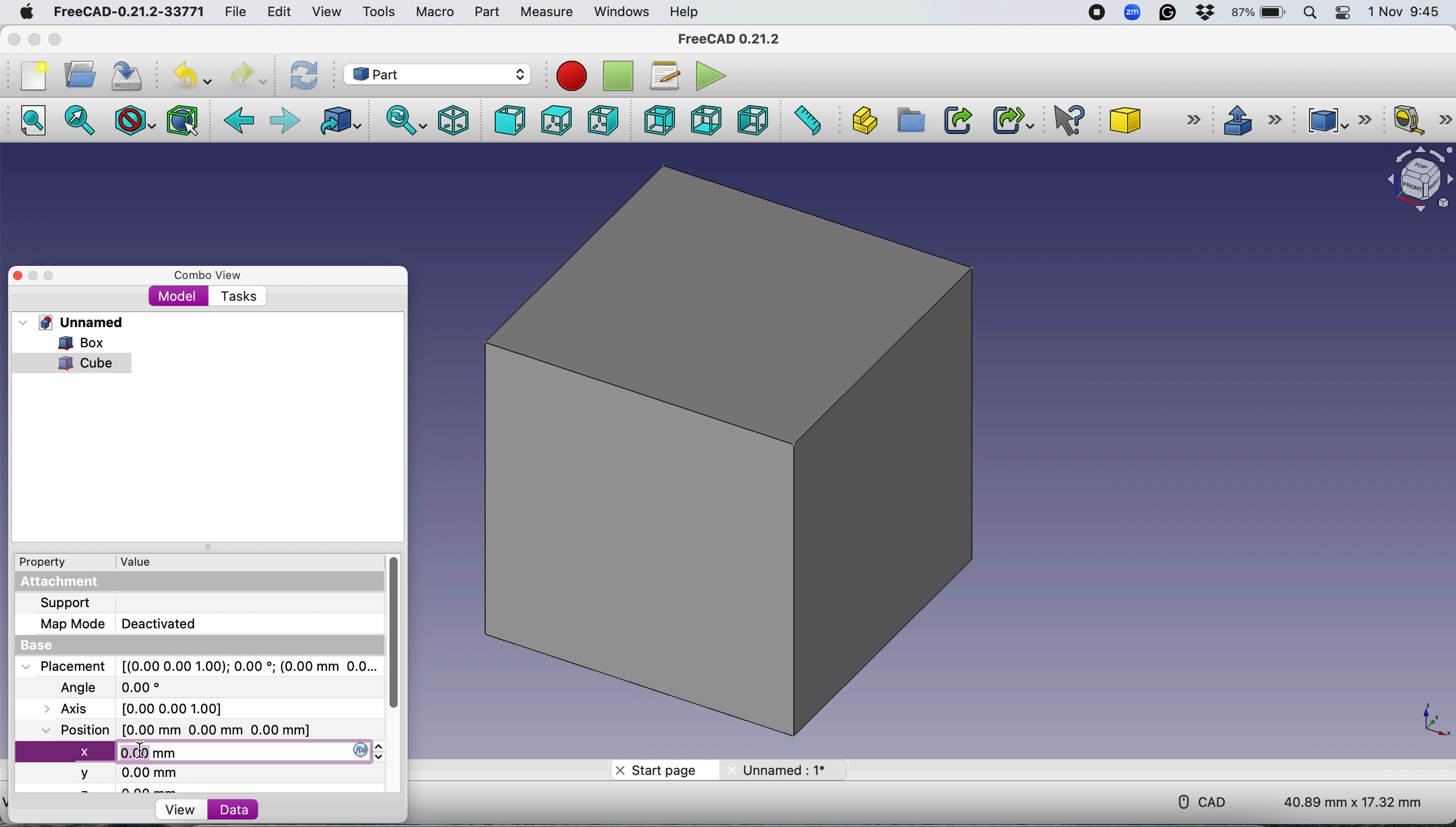 Image resolution: width=1456 pixels, height=827 pixels. Describe the element at coordinates (34, 39) in the screenshot. I see `minimise` at that location.